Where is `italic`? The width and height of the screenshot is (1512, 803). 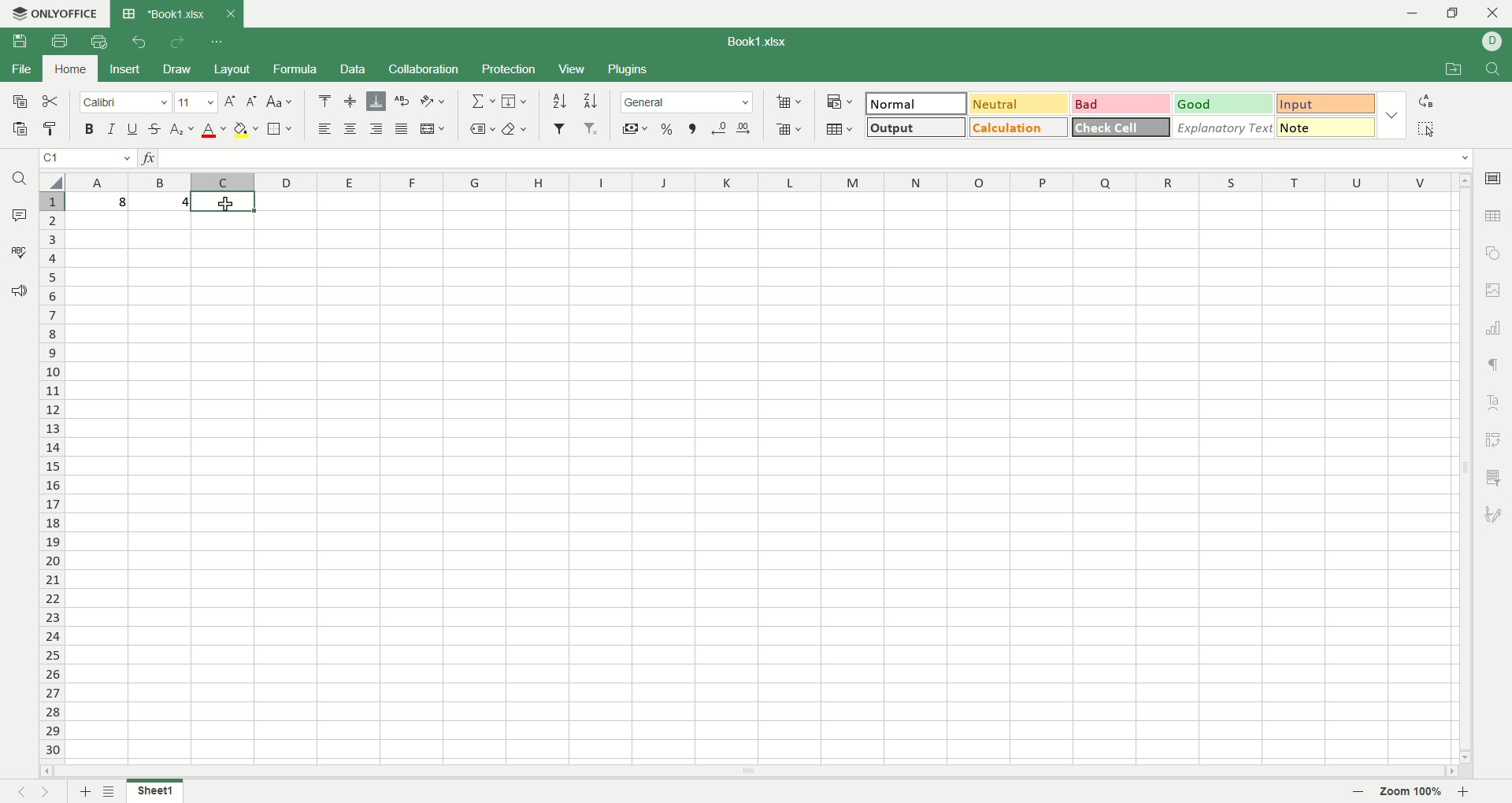 italic is located at coordinates (111, 128).